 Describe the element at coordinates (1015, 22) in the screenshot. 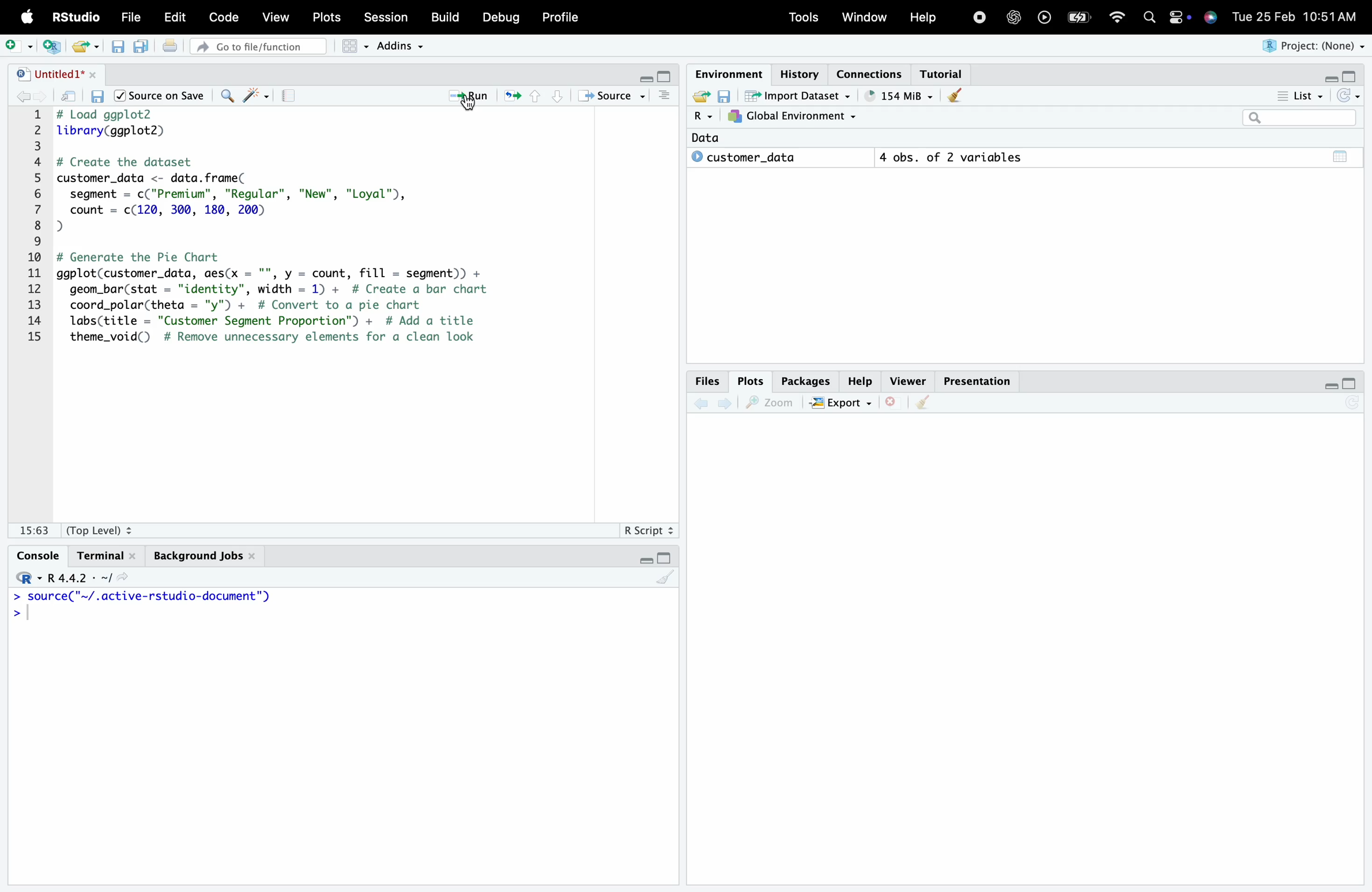

I see `open AI` at that location.